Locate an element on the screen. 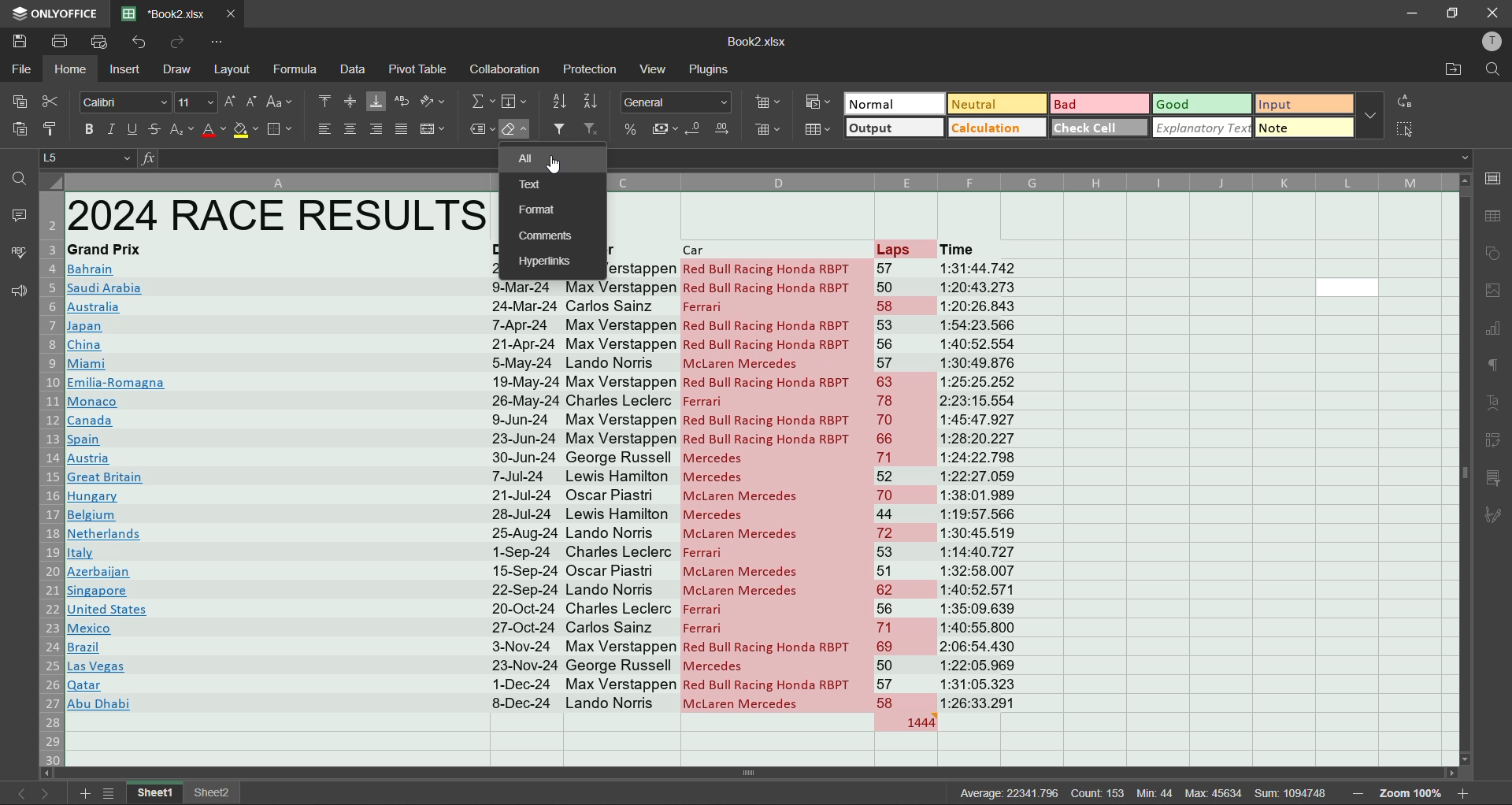 This screenshot has width=1512, height=805. select all is located at coordinates (1406, 129).